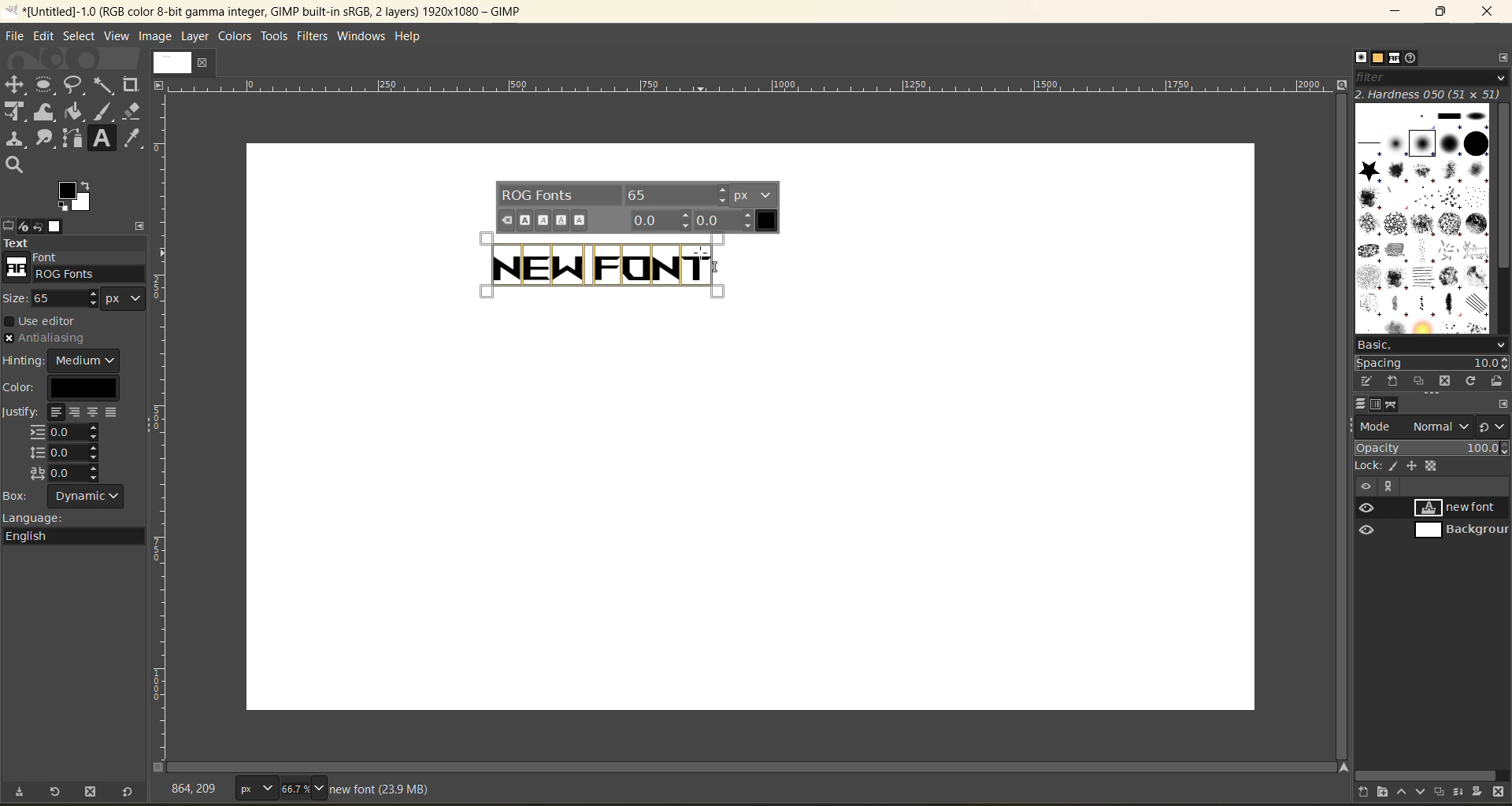 The image size is (1512, 806). I want to click on view, so click(114, 35).